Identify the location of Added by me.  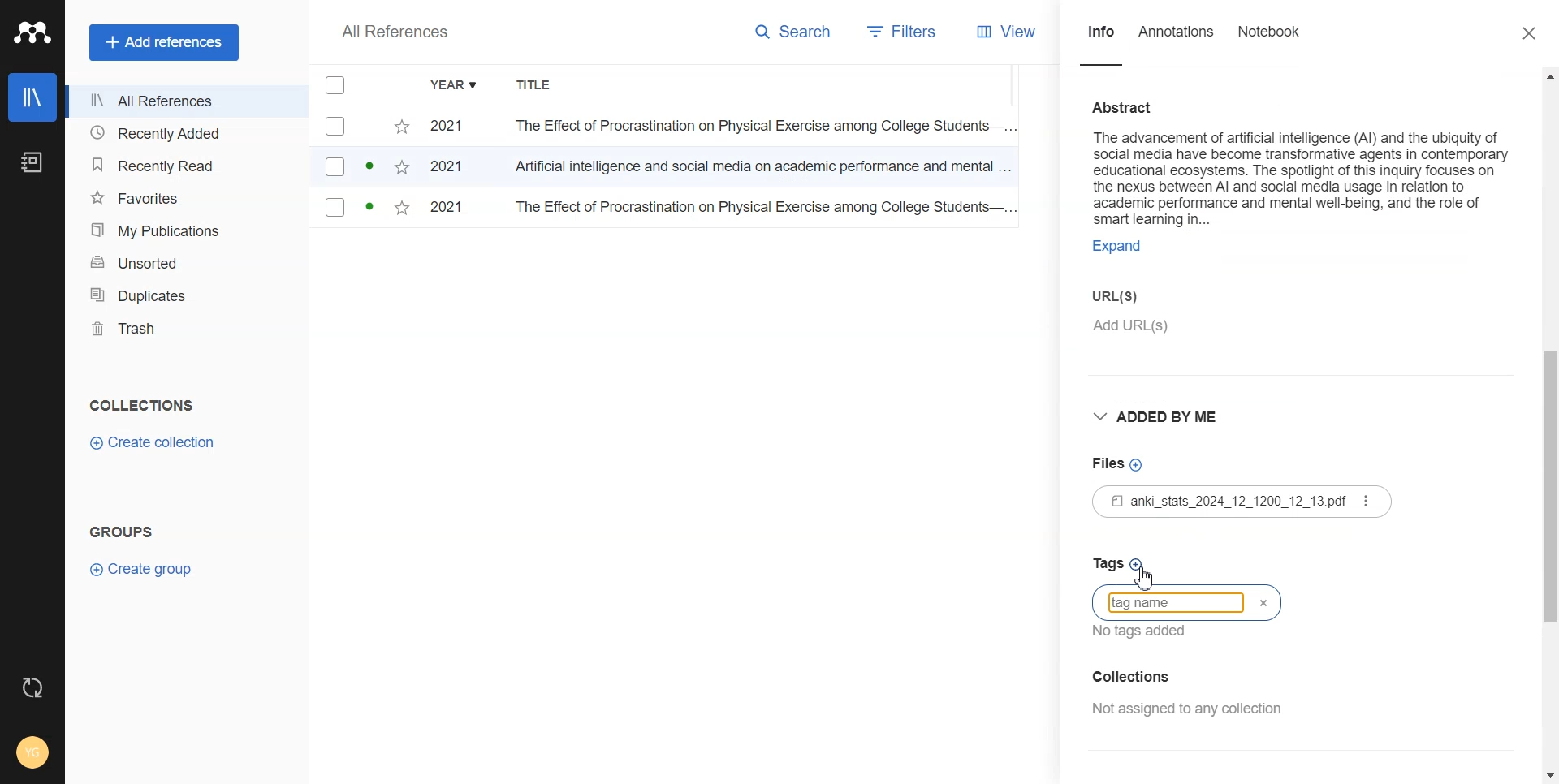
(1159, 414).